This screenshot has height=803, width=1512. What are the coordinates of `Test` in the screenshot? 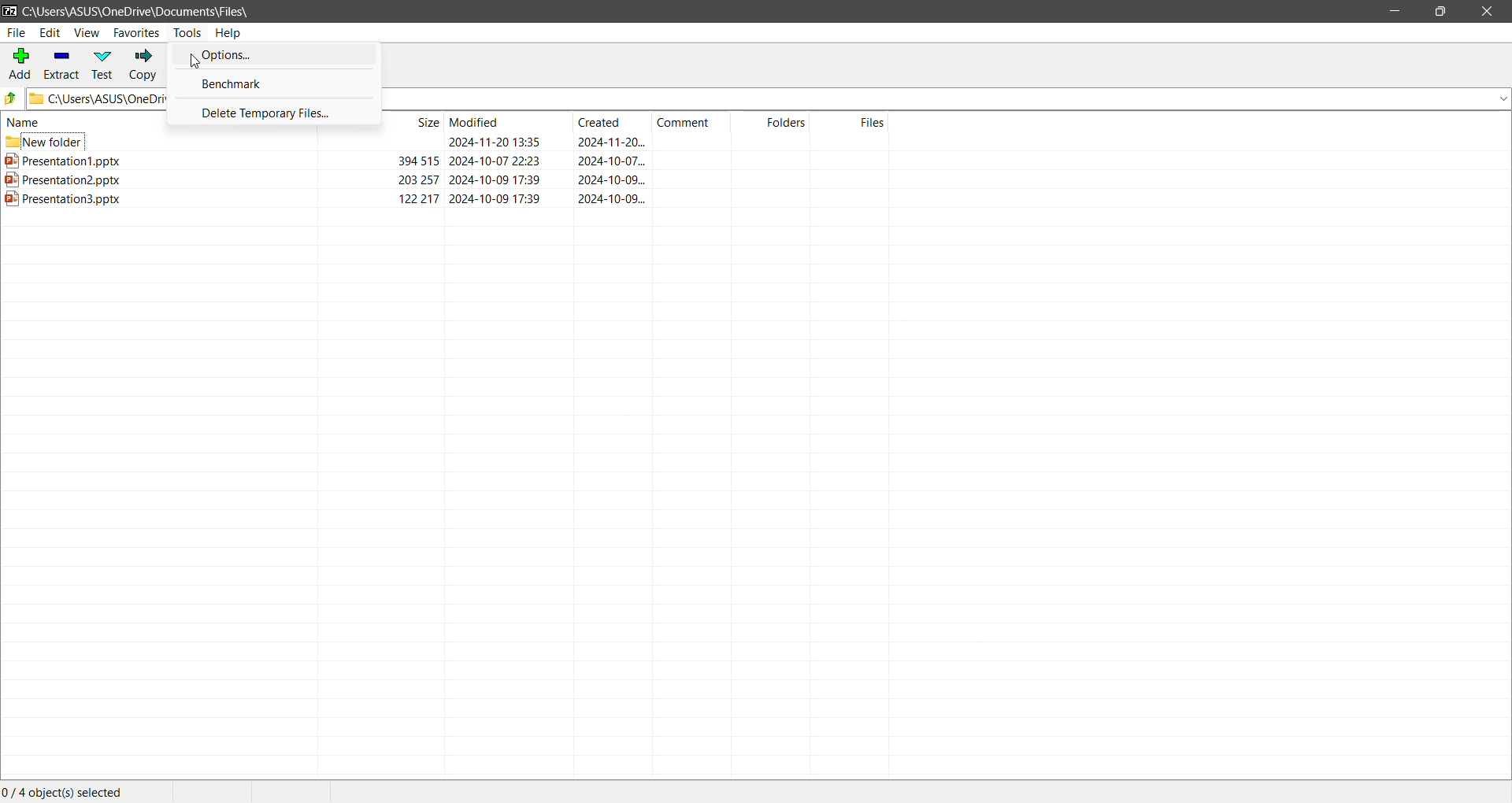 It's located at (105, 65).